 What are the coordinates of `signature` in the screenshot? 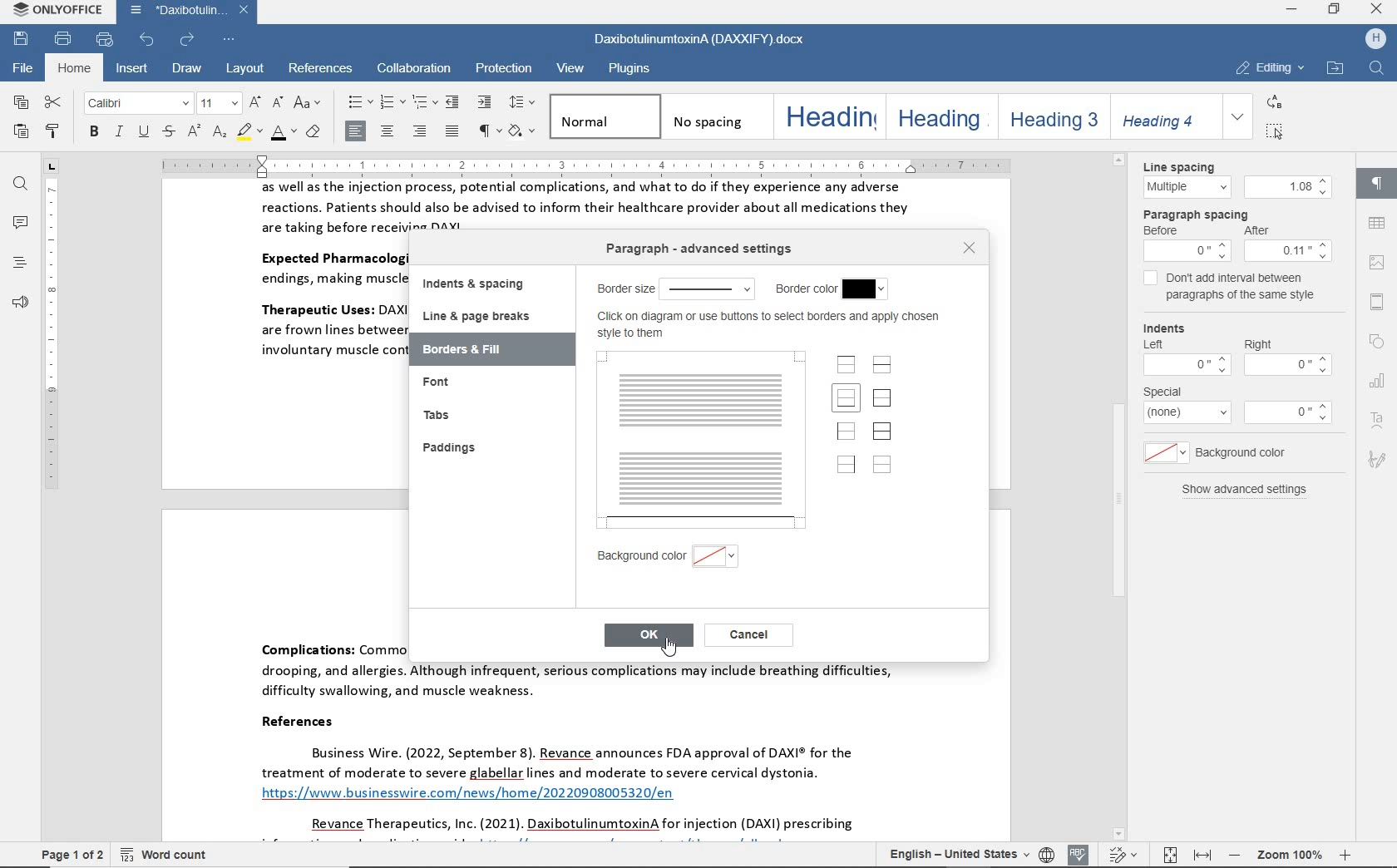 It's located at (1380, 457).